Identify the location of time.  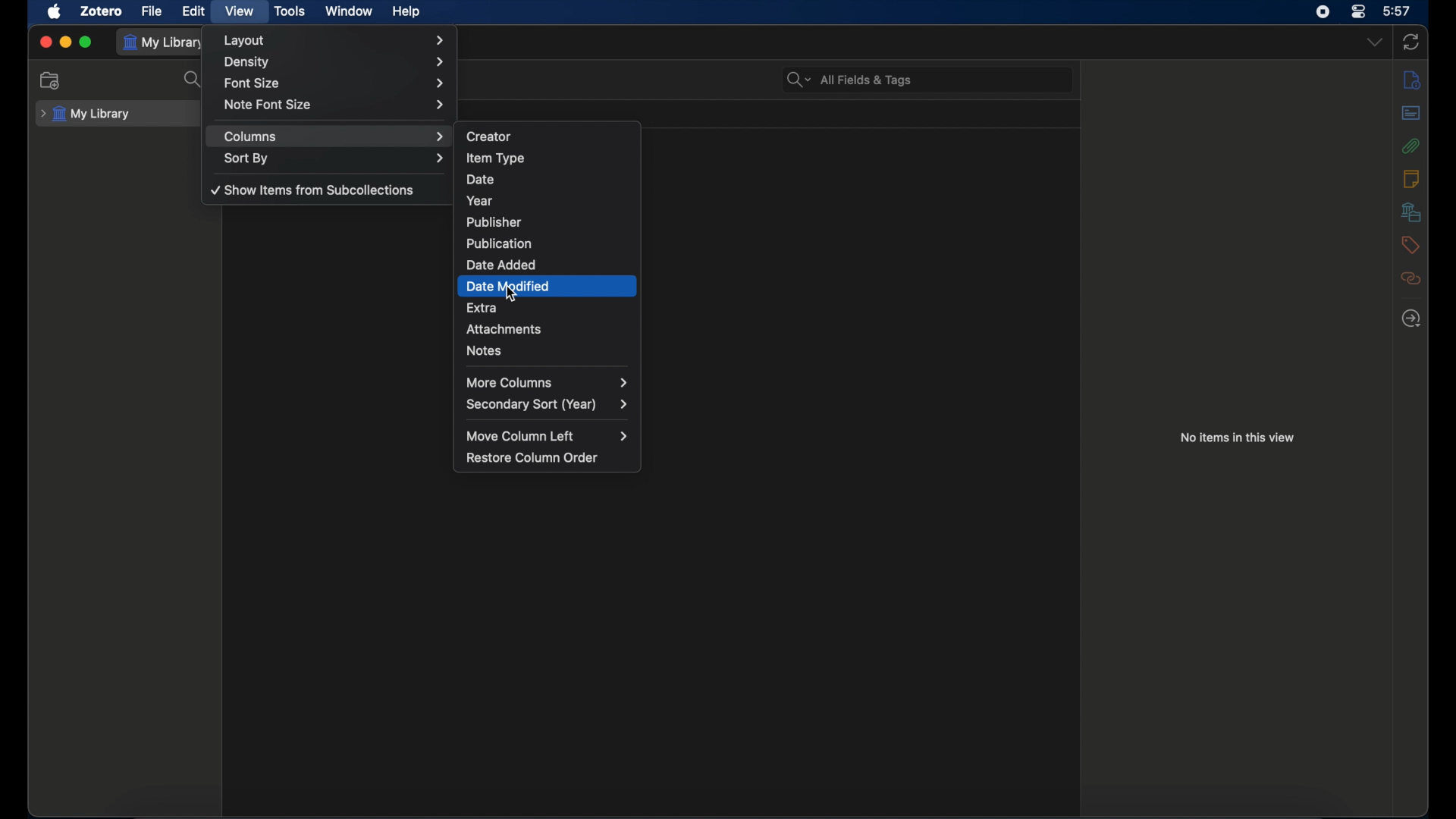
(1398, 11).